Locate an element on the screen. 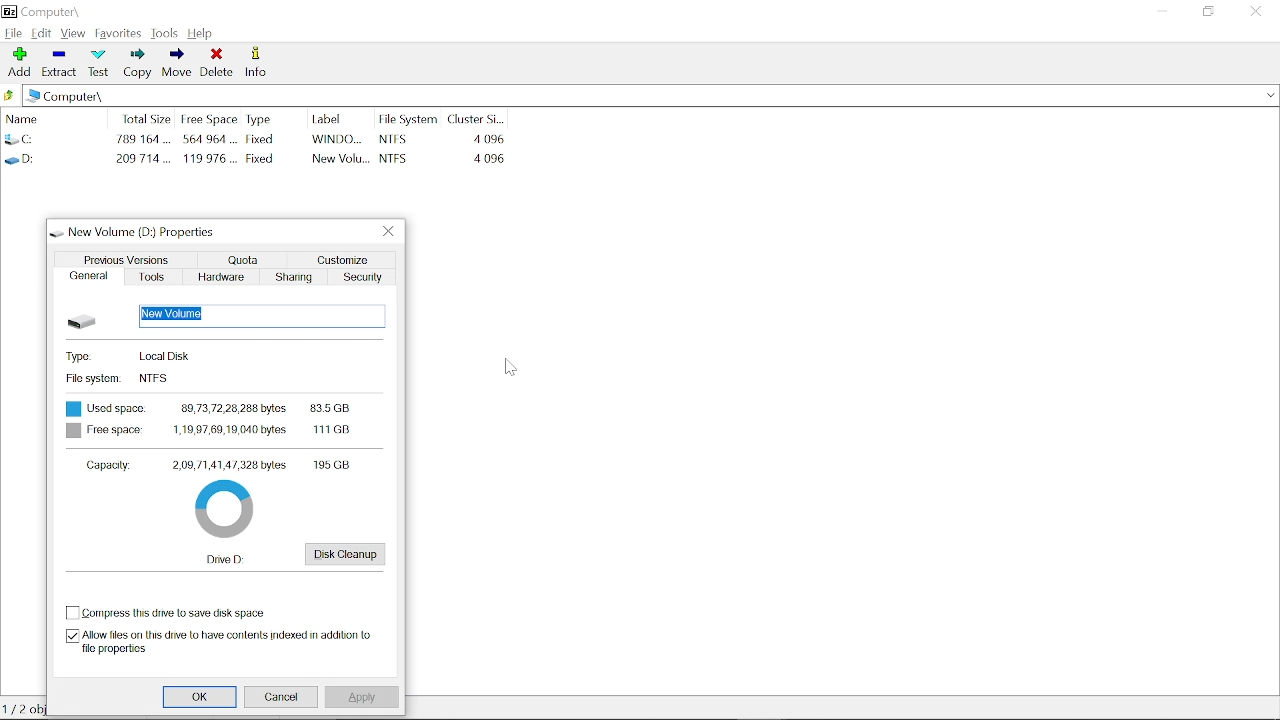  general is located at coordinates (88, 276).